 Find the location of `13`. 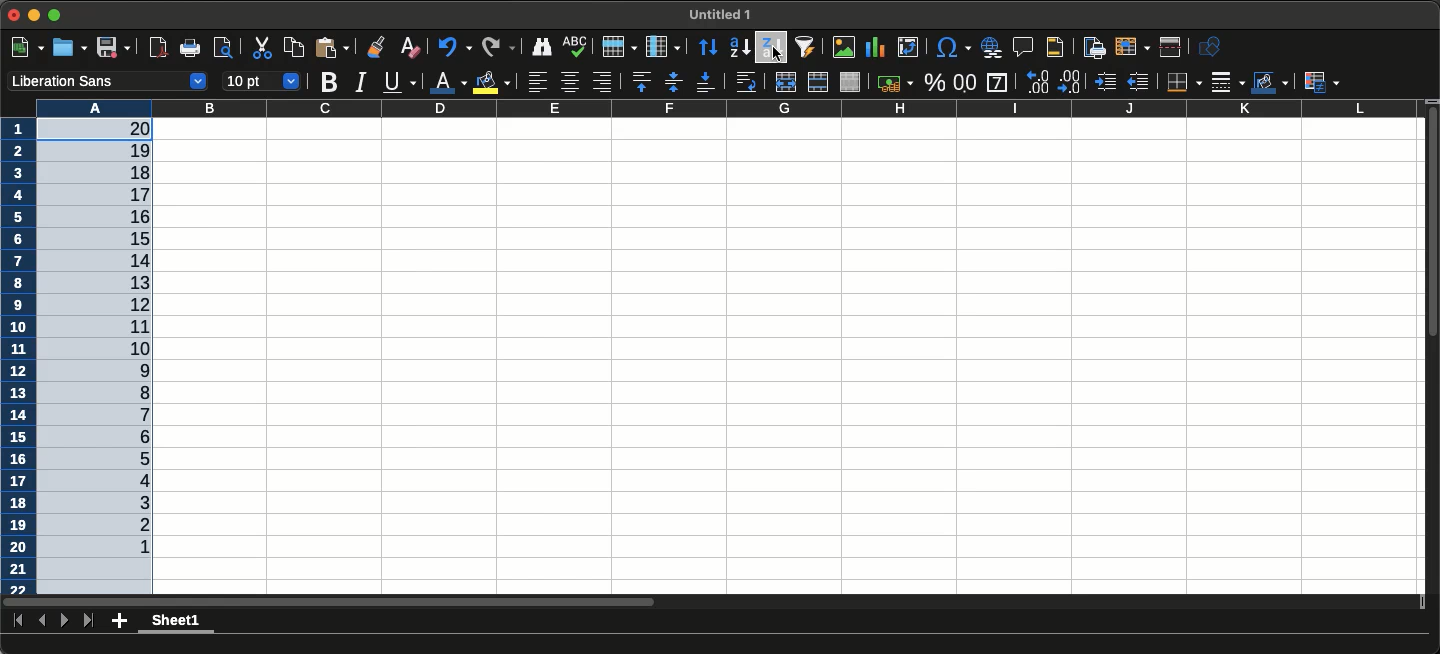

13 is located at coordinates (128, 391).